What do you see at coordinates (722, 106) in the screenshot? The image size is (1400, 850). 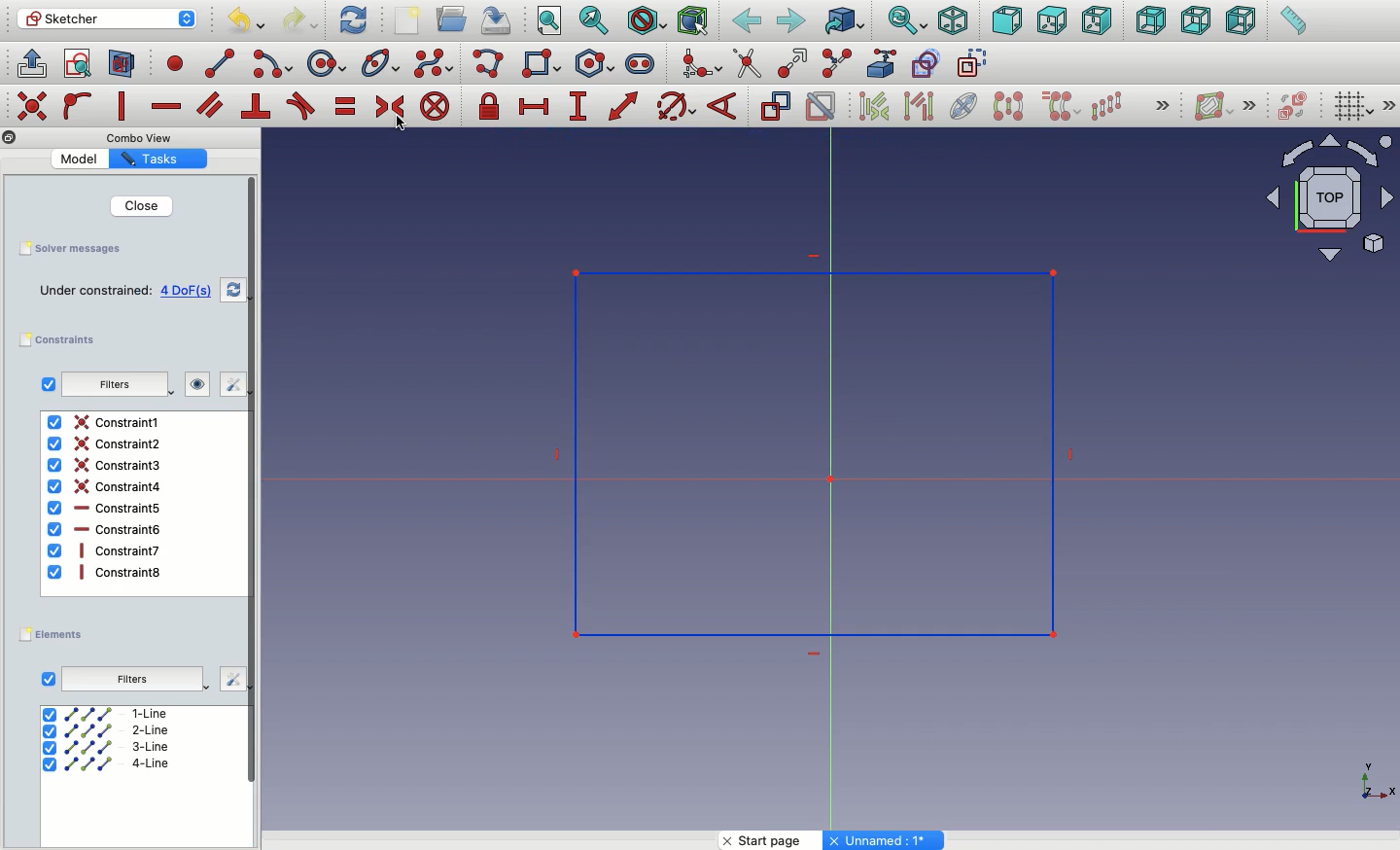 I see `Constrain angle` at bounding box center [722, 106].